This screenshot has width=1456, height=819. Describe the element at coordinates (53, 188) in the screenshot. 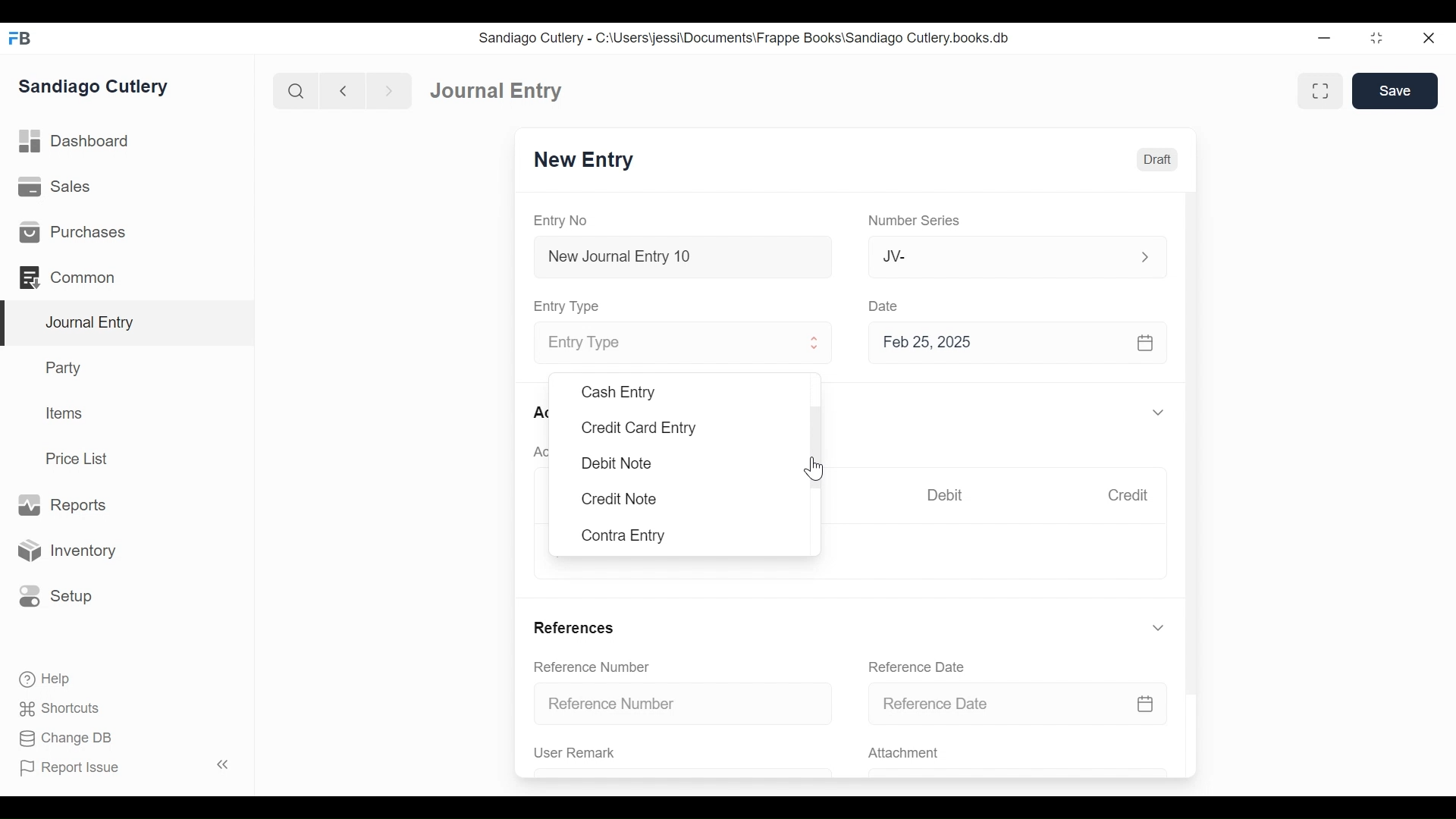

I see `Sales` at that location.